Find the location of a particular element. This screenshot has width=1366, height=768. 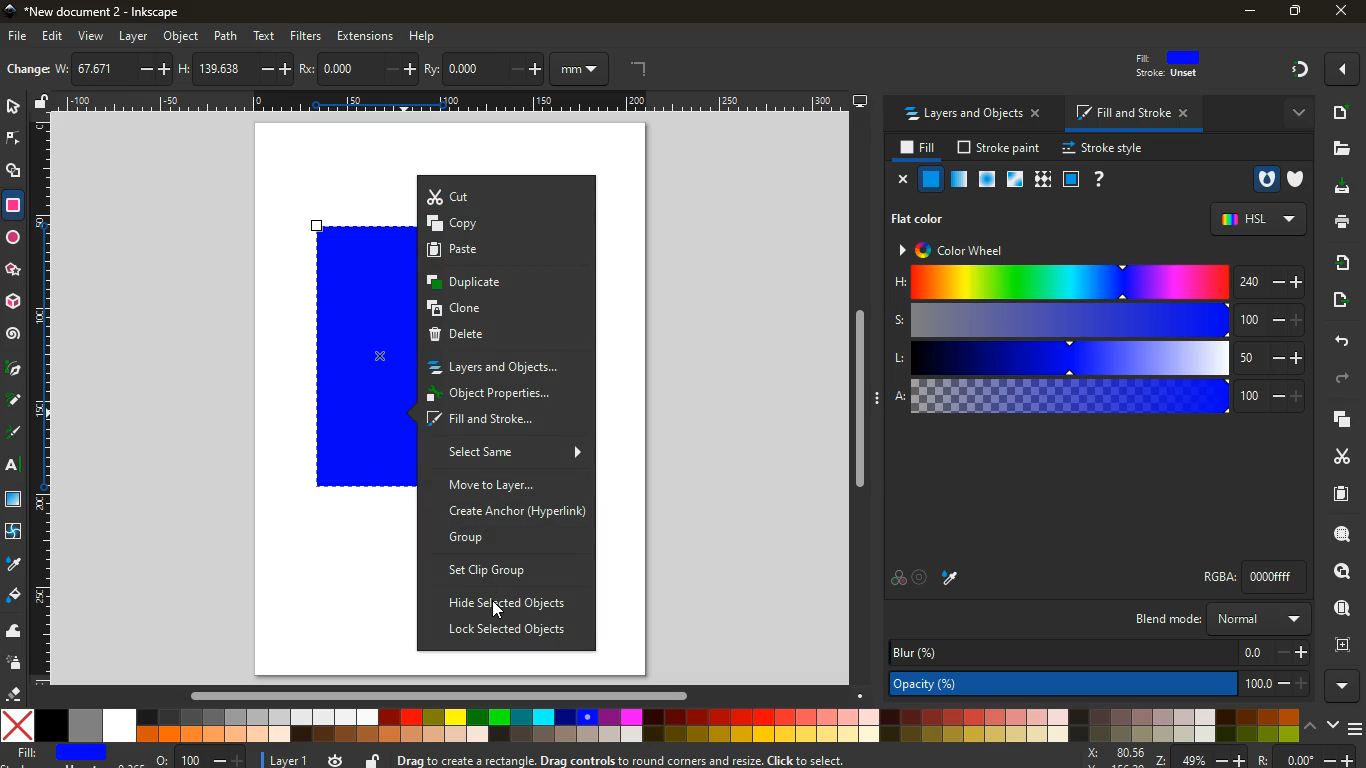

3d tool box is located at coordinates (13, 303).